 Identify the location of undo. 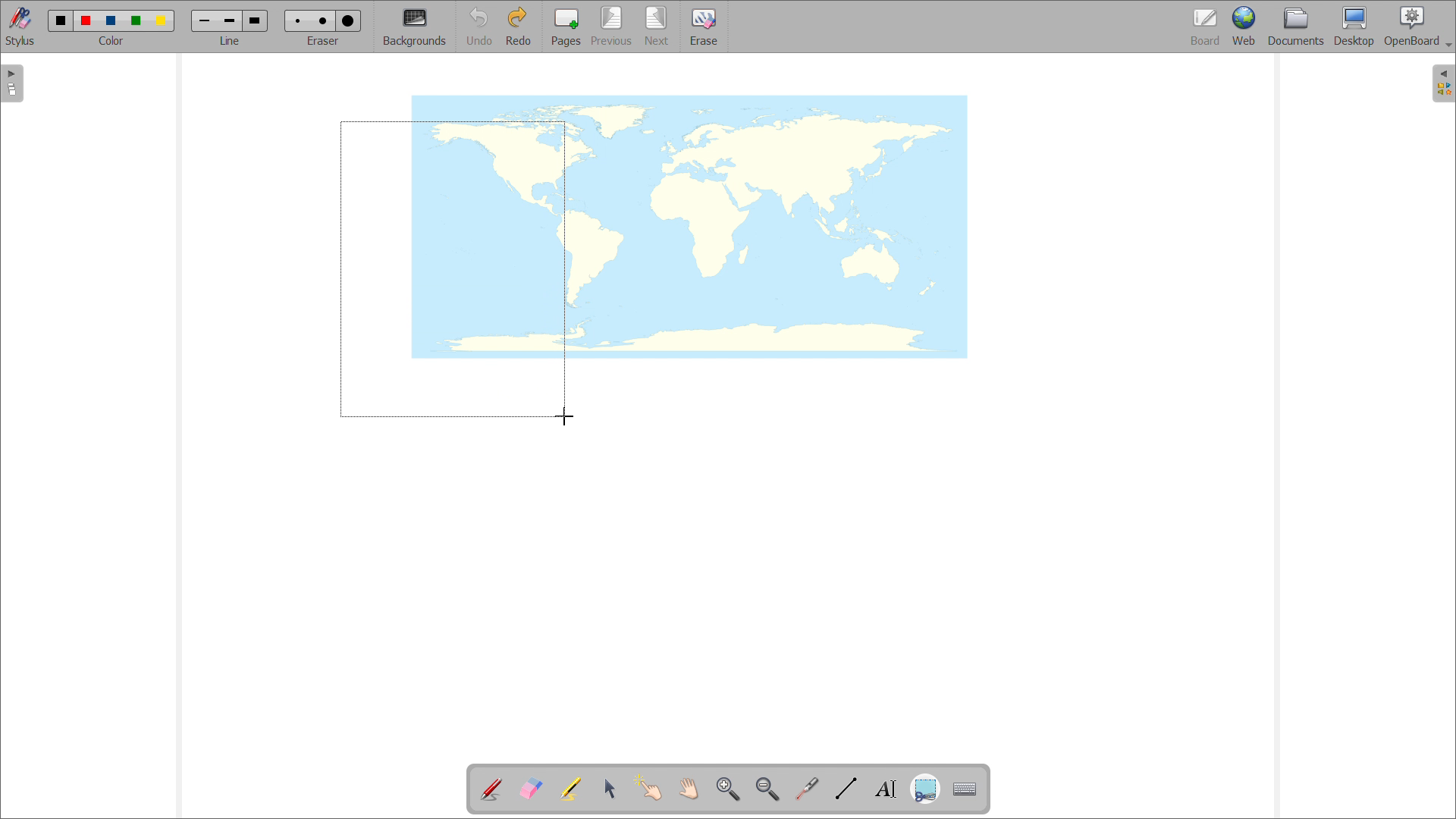
(479, 27).